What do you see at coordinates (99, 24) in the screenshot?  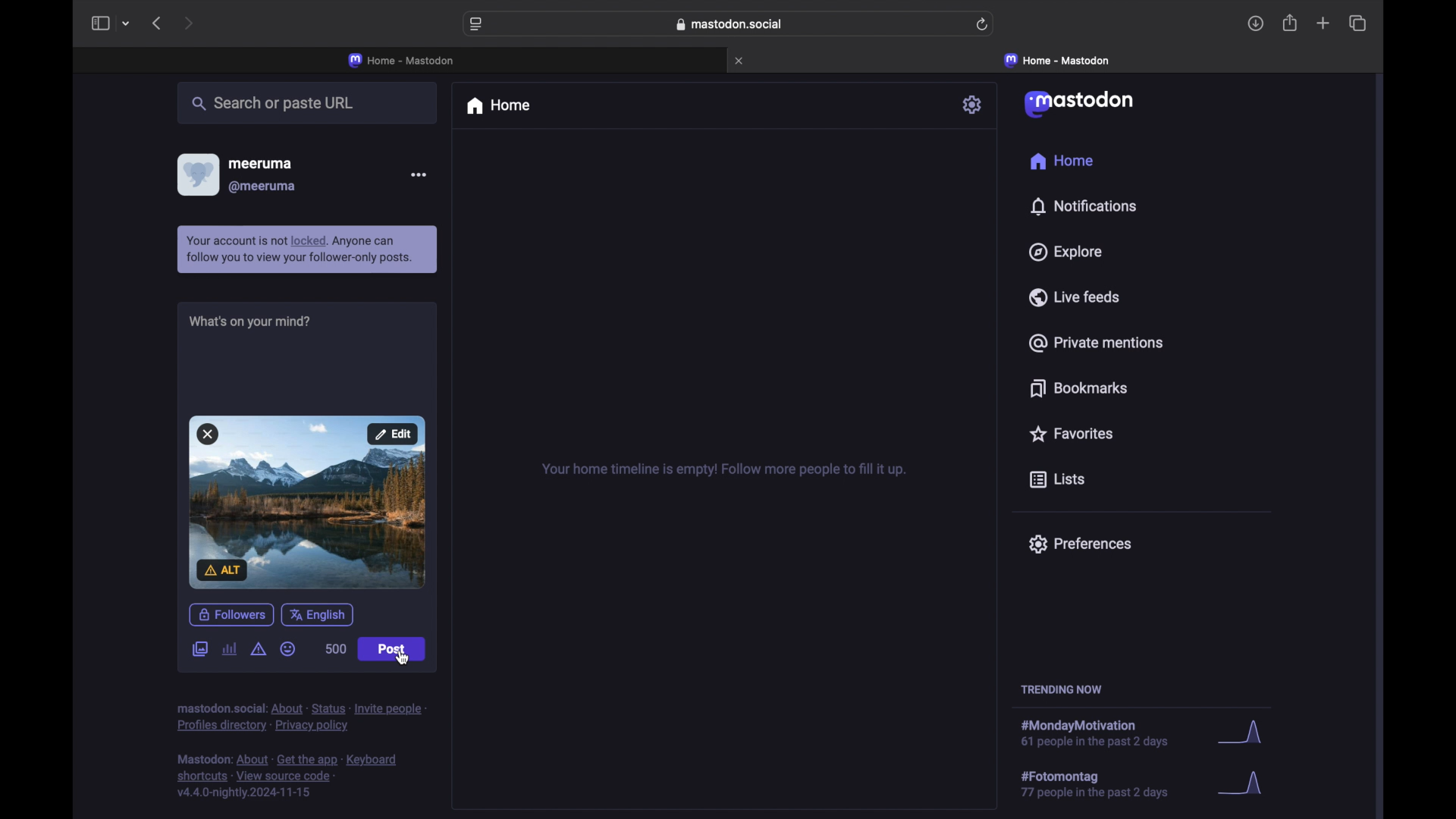 I see `sidebar` at bounding box center [99, 24].